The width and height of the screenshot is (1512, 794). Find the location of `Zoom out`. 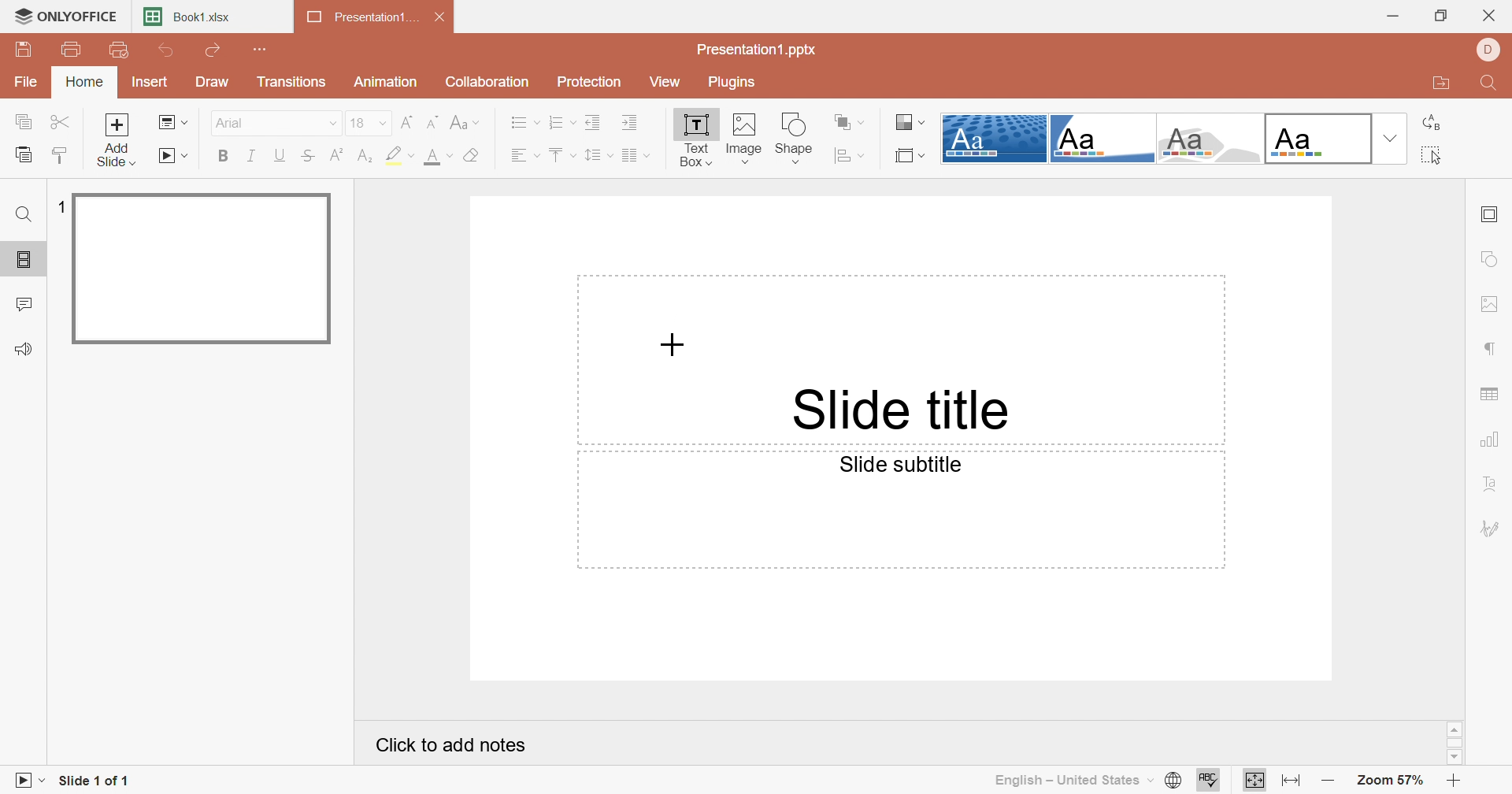

Zoom out is located at coordinates (1331, 780).